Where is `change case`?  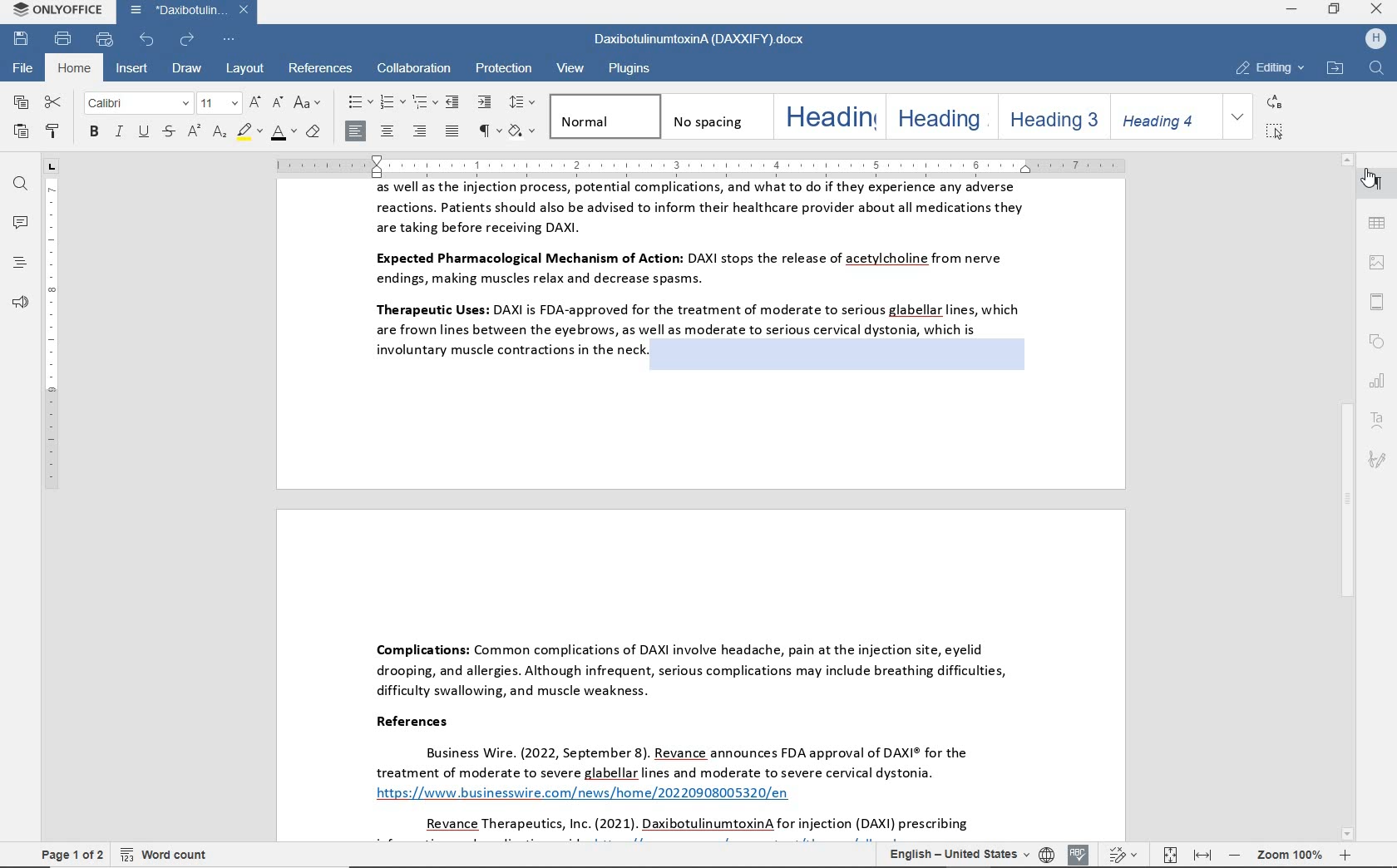 change case is located at coordinates (307, 102).